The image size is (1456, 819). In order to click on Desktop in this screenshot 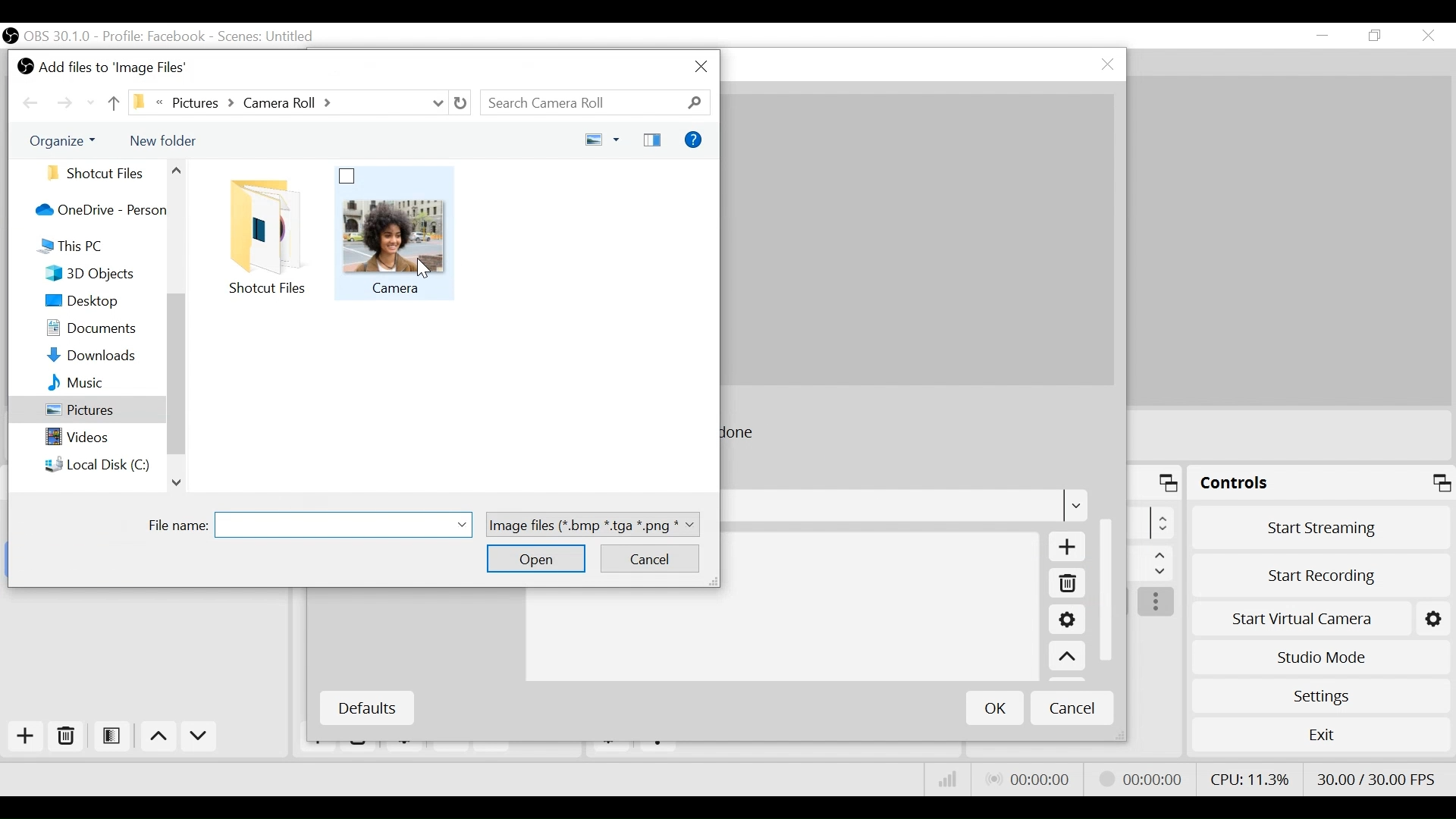, I will do `click(102, 303)`.